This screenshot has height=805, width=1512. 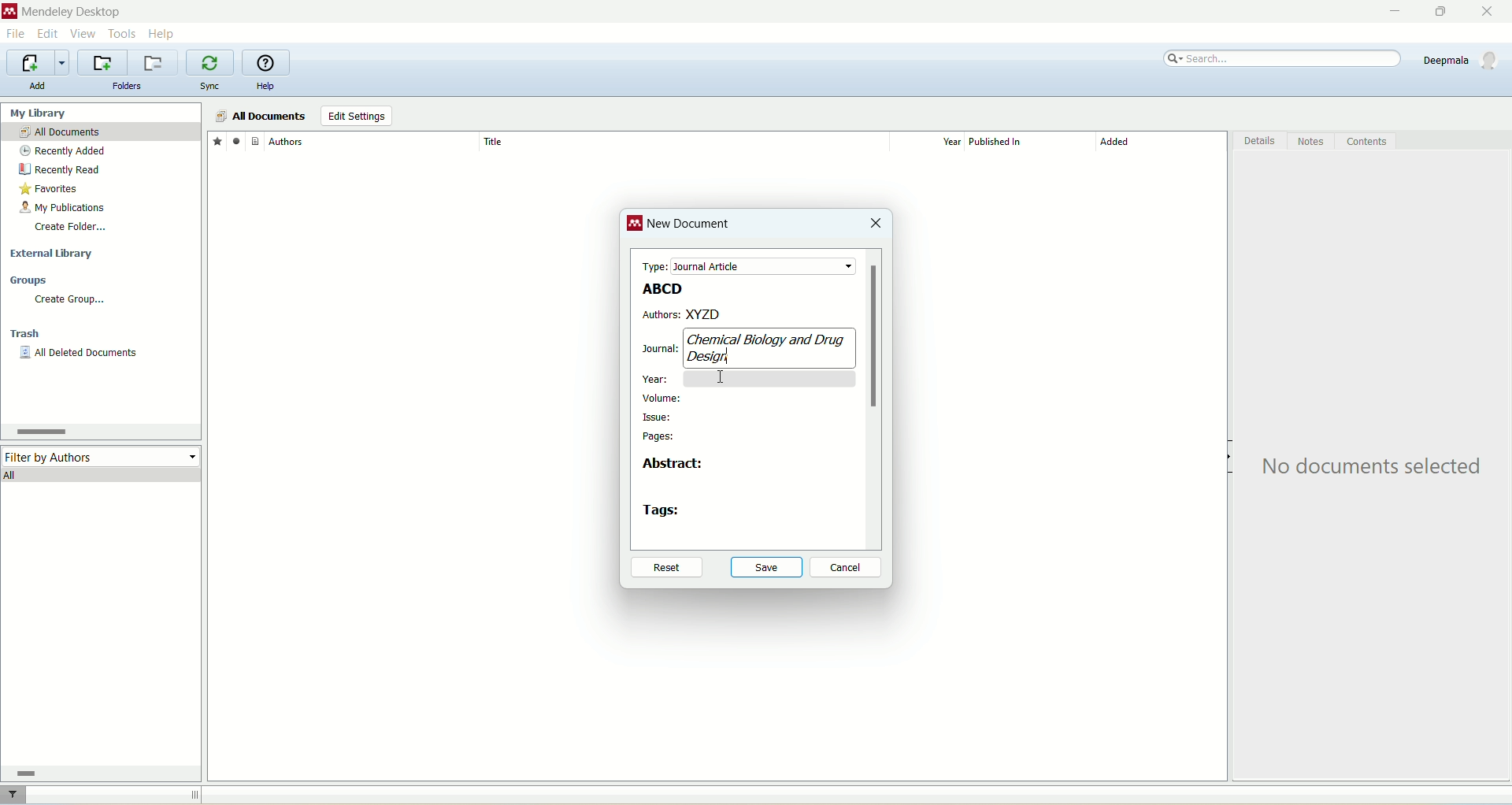 I want to click on vertical scroll bar, so click(x=876, y=399).